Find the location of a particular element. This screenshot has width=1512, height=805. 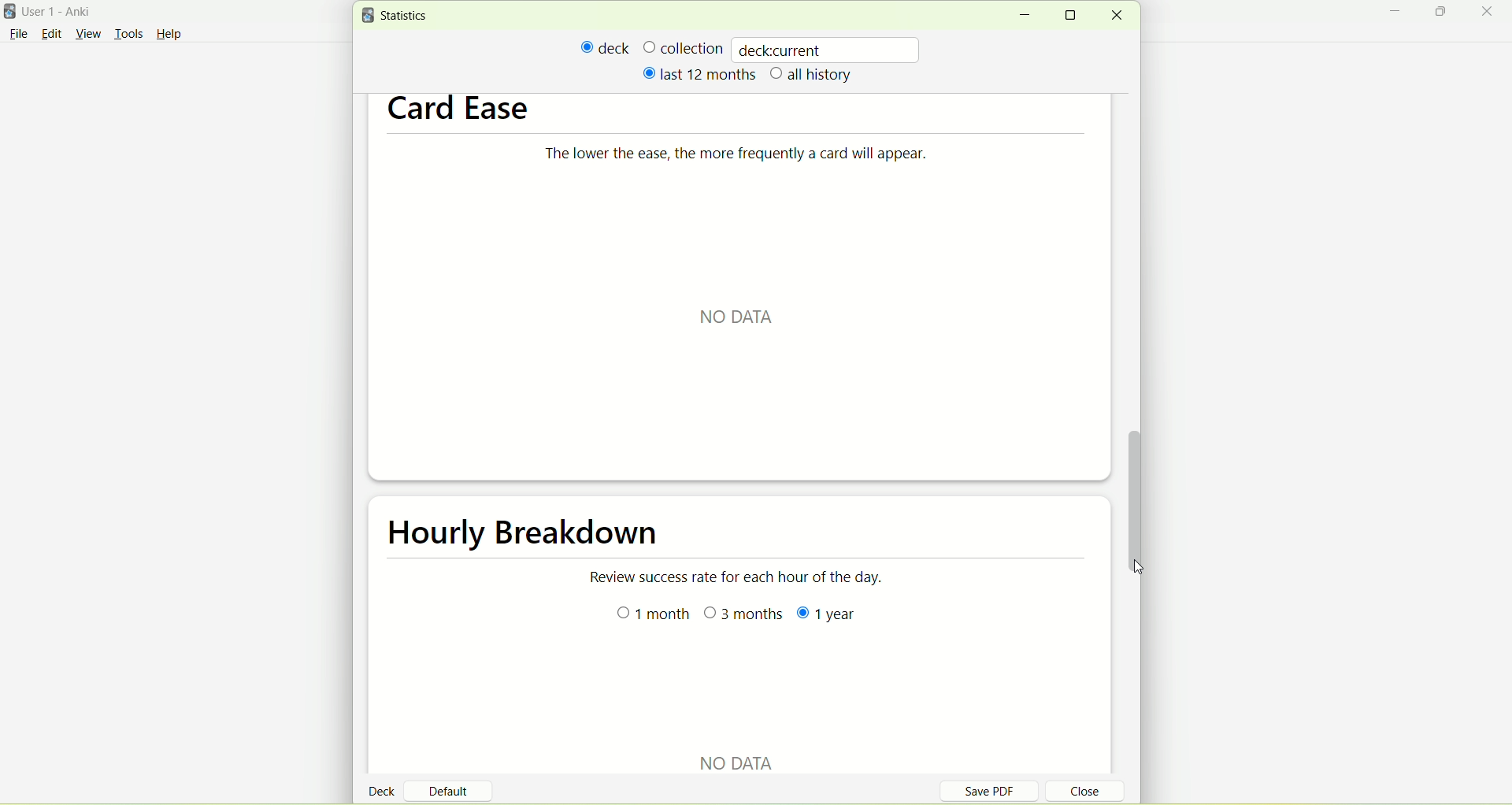

cursor is located at coordinates (1152, 571).